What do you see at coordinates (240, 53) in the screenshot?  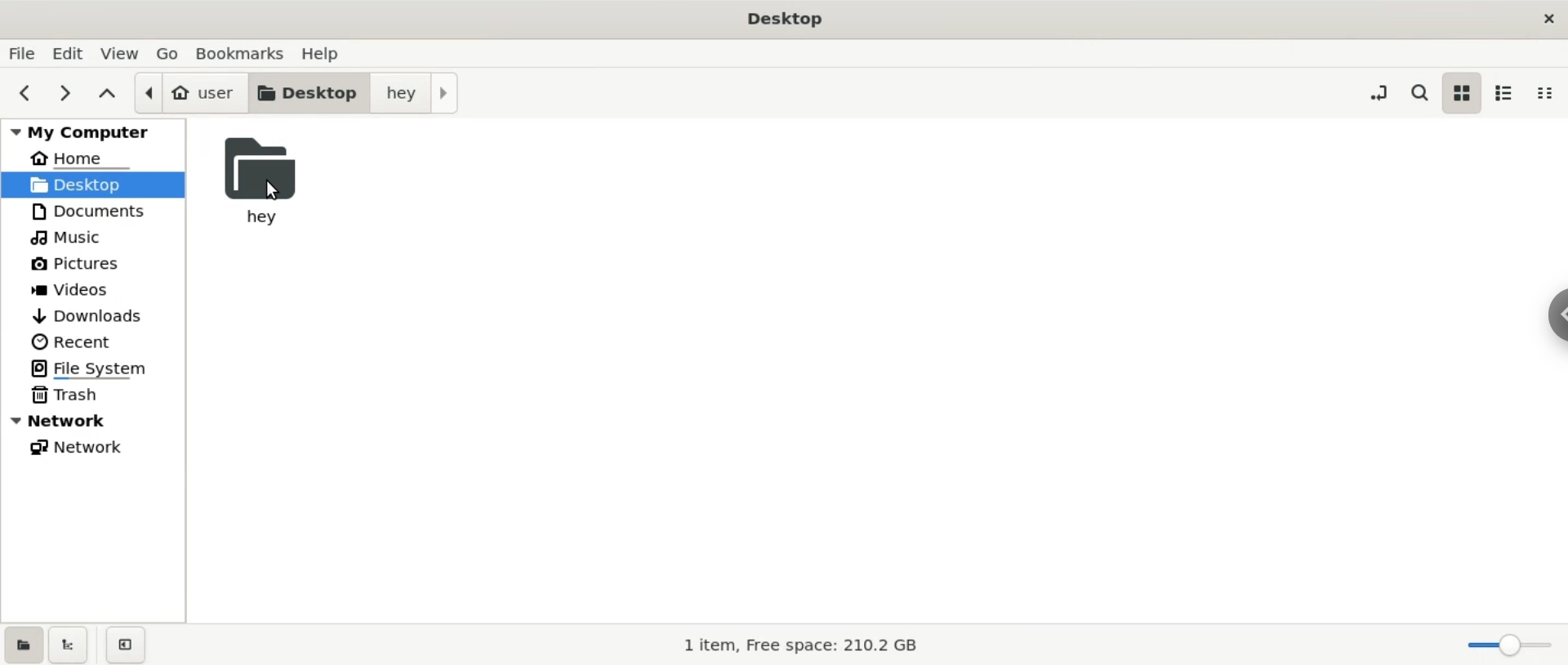 I see `bookmarks` at bounding box center [240, 53].